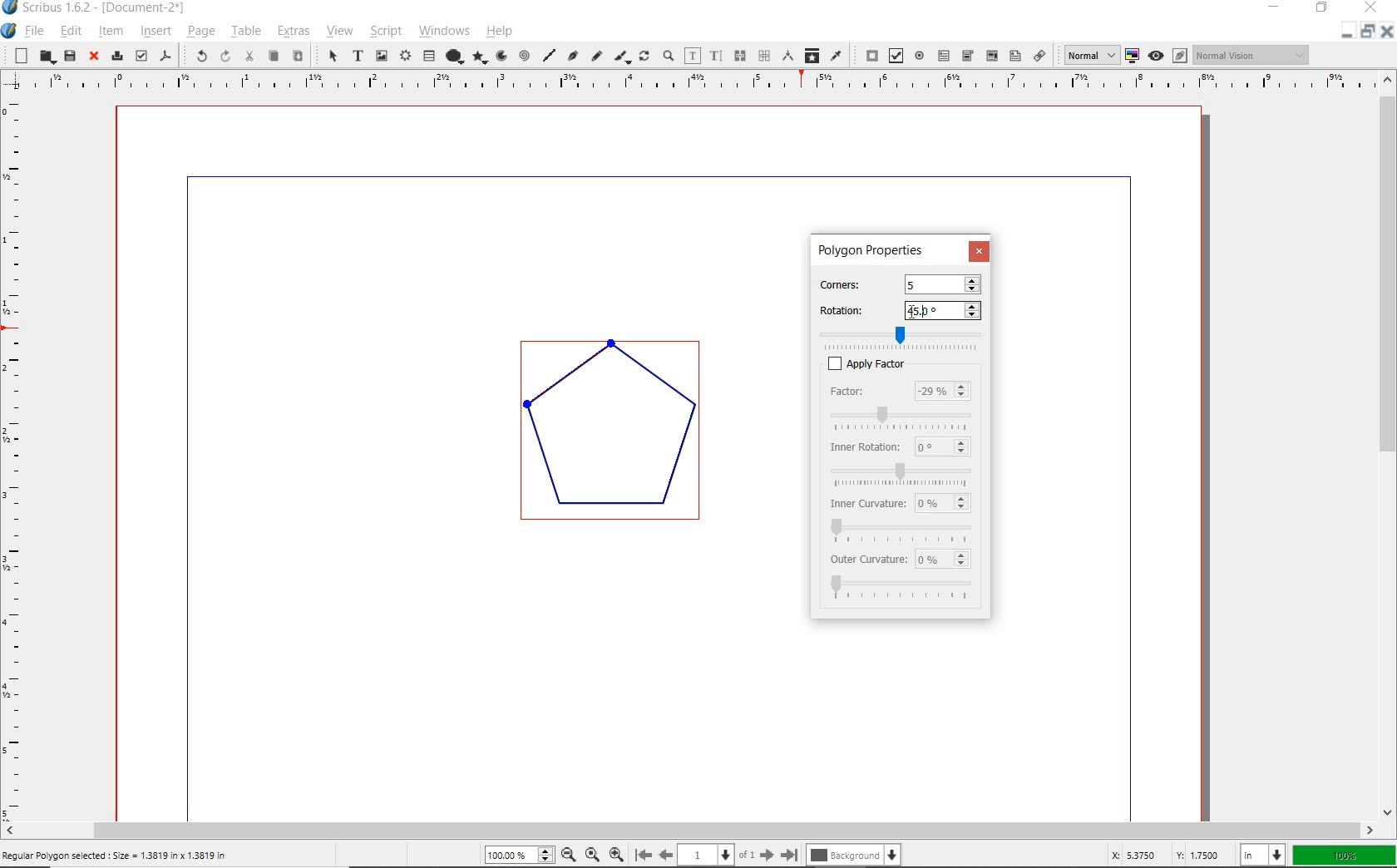 The width and height of the screenshot is (1397, 868). What do you see at coordinates (298, 57) in the screenshot?
I see `paste` at bounding box center [298, 57].